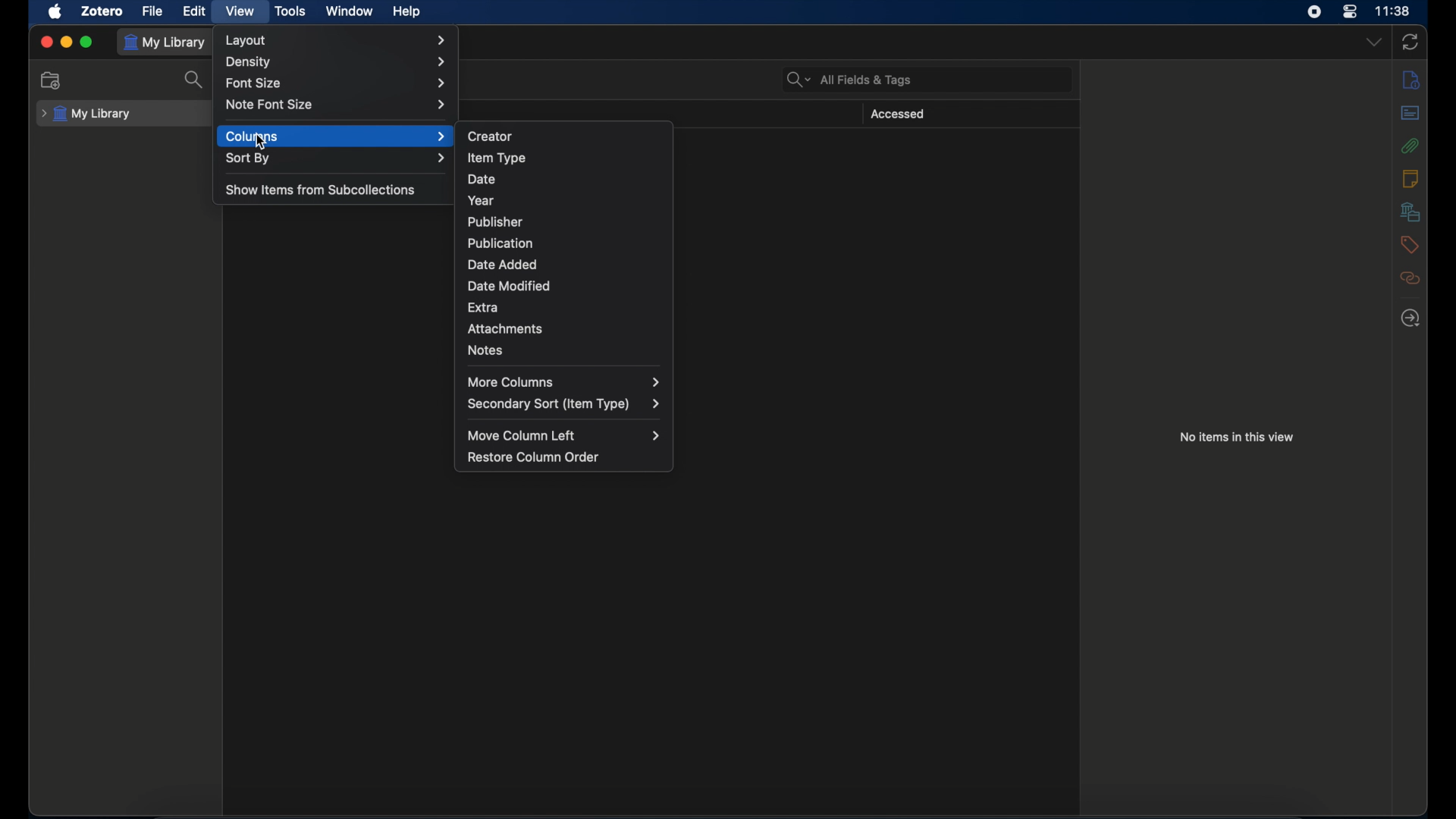 This screenshot has height=819, width=1456. What do you see at coordinates (67, 42) in the screenshot?
I see `minimize` at bounding box center [67, 42].